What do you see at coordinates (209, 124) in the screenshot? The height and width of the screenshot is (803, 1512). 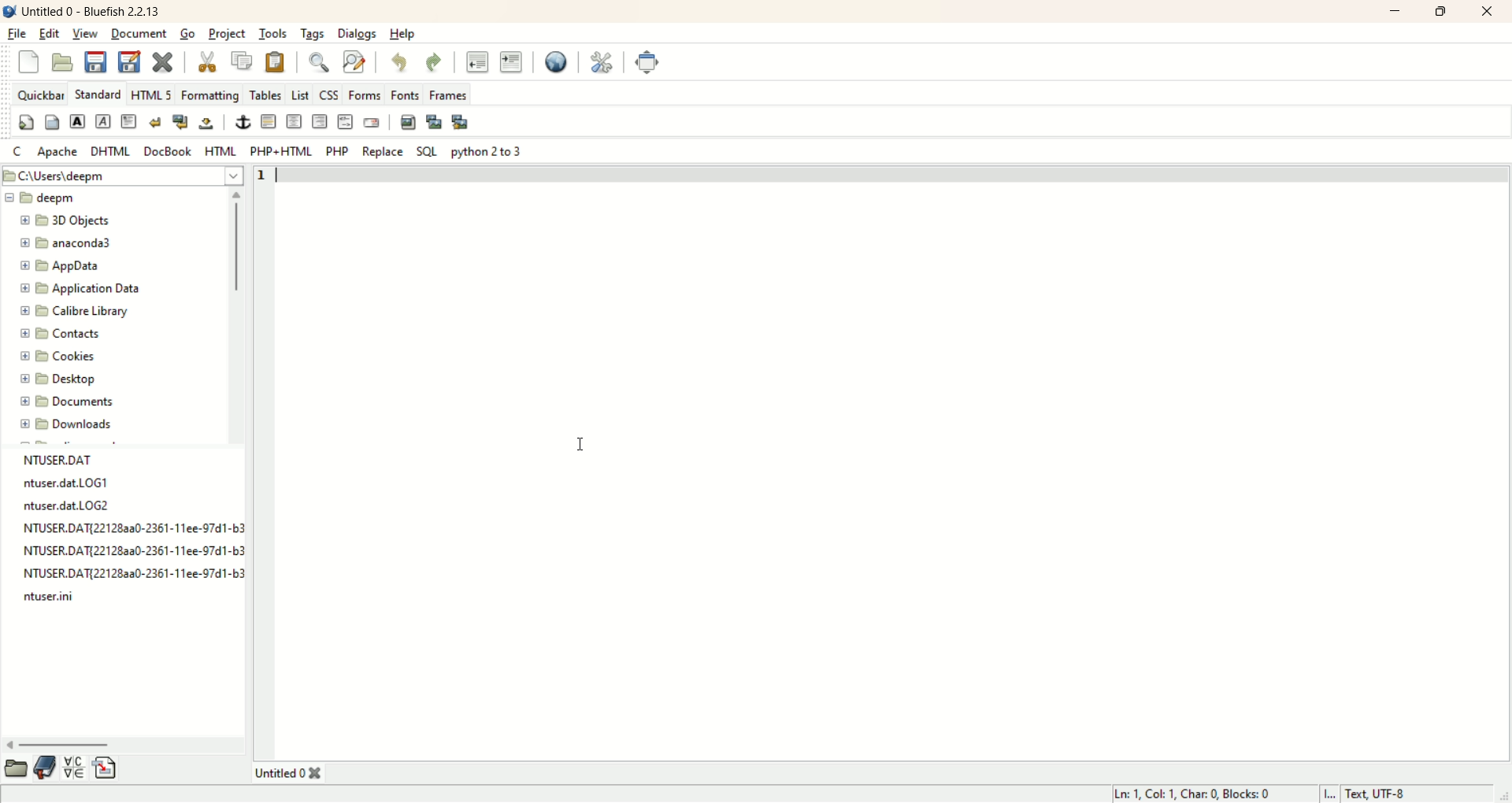 I see `non-breaking space` at bounding box center [209, 124].